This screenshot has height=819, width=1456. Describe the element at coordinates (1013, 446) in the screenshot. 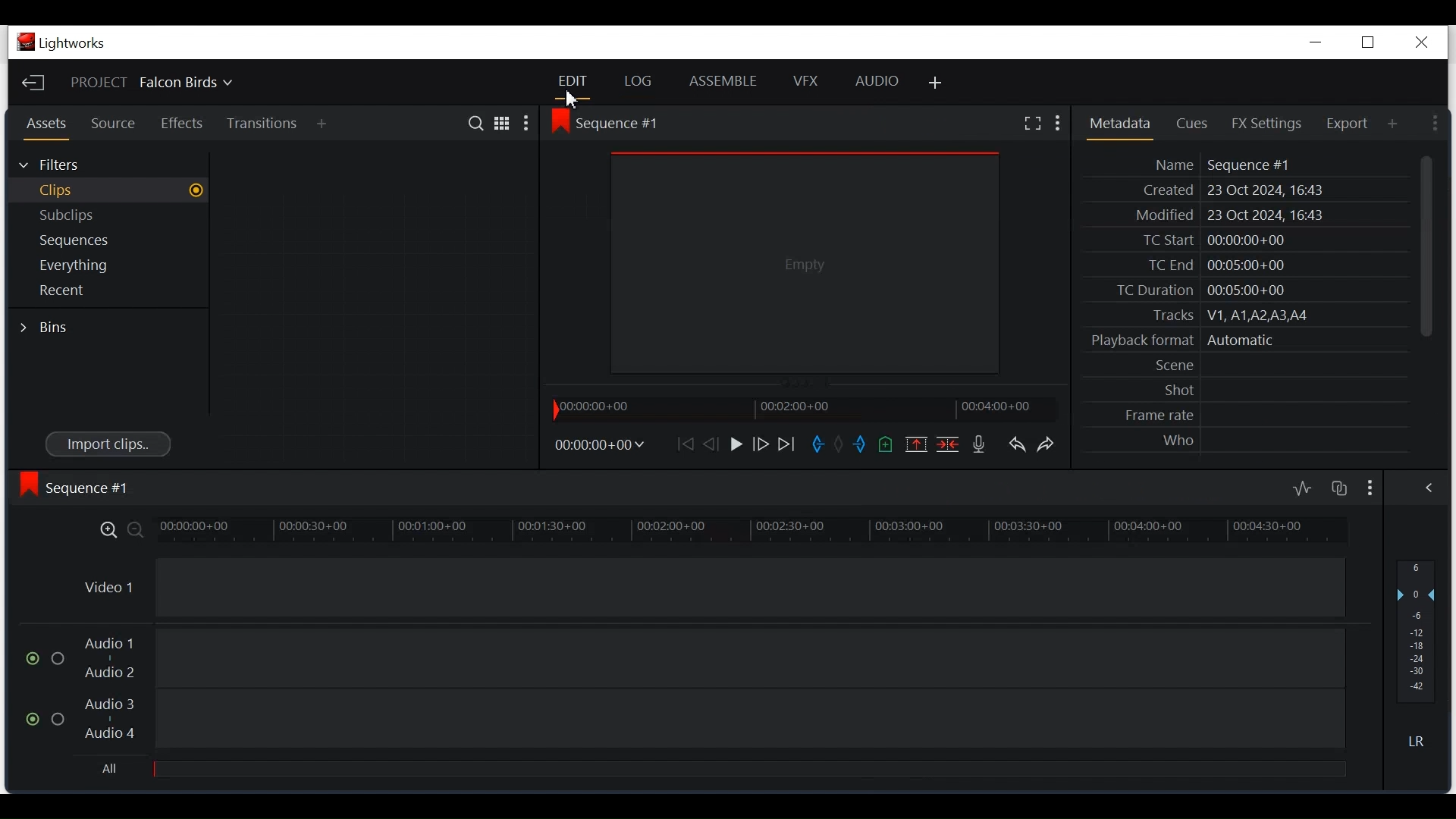

I see `Redo` at that location.